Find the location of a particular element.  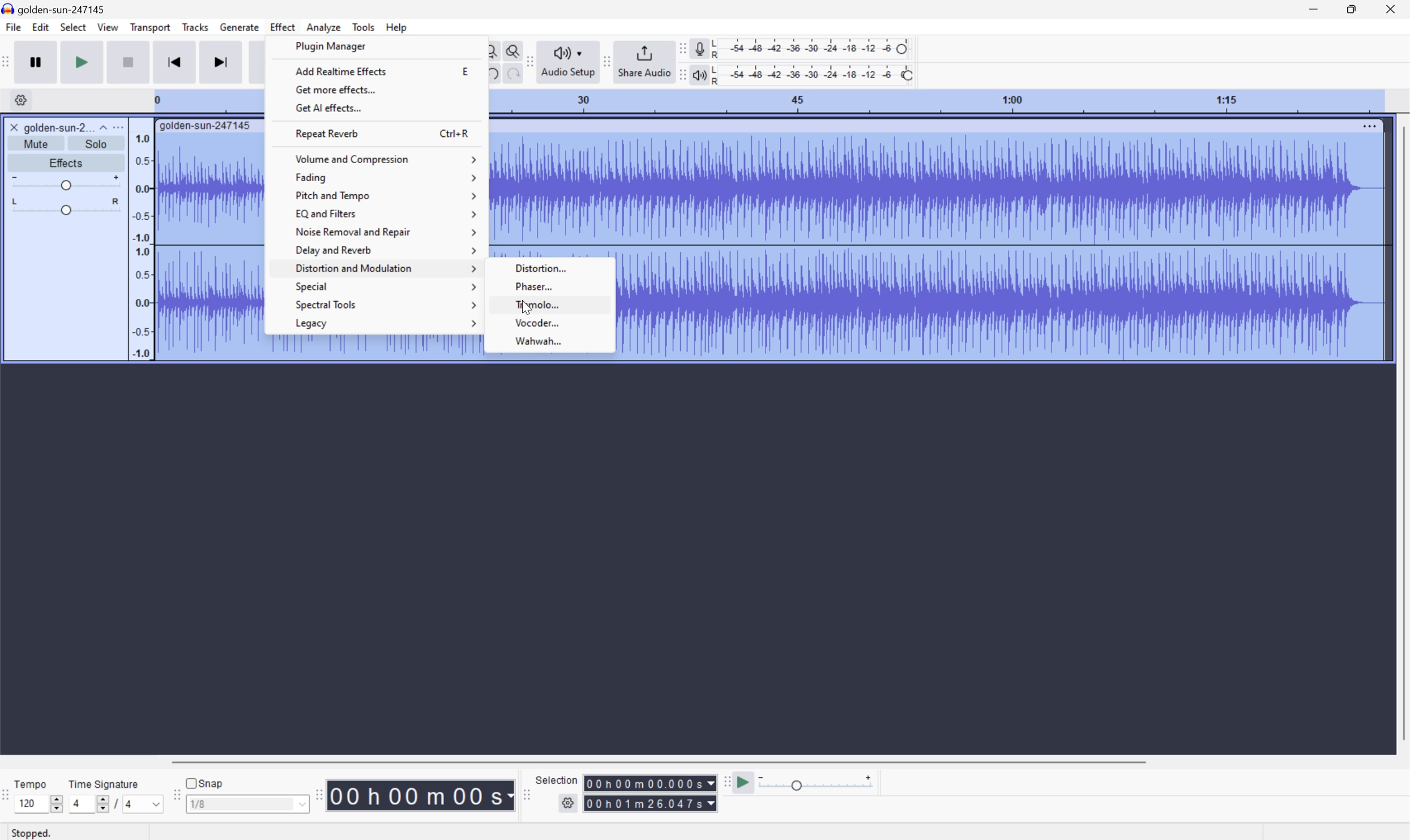

Undo is located at coordinates (492, 73).